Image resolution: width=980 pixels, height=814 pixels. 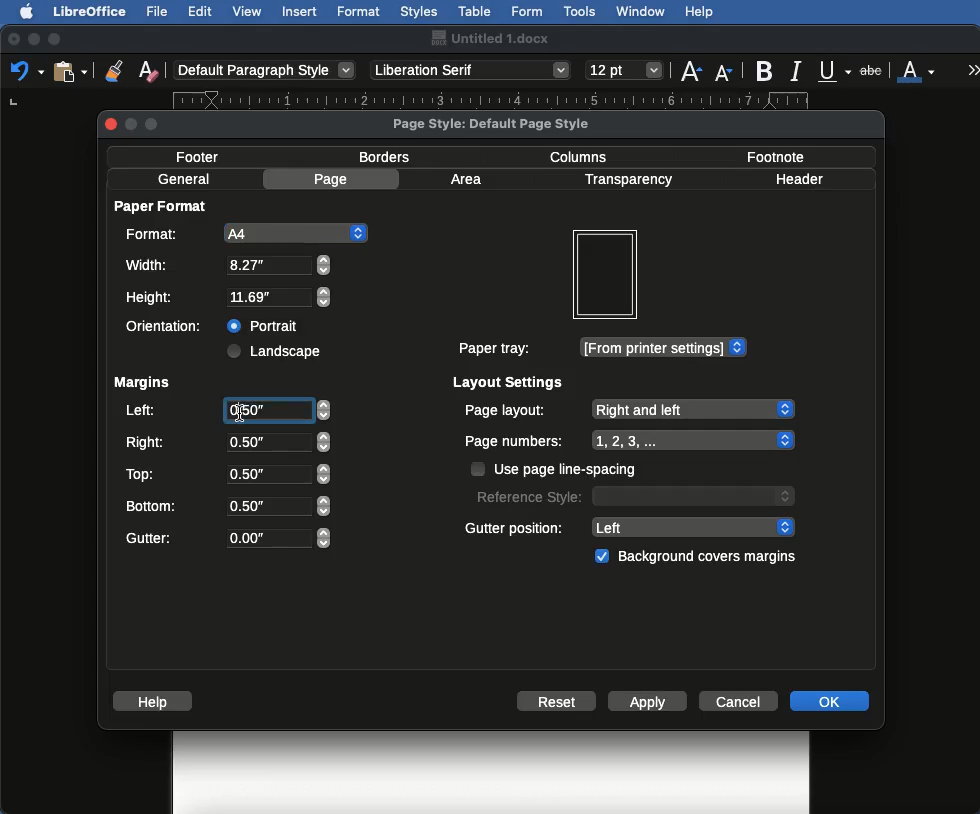 I want to click on Italics, so click(x=799, y=69).